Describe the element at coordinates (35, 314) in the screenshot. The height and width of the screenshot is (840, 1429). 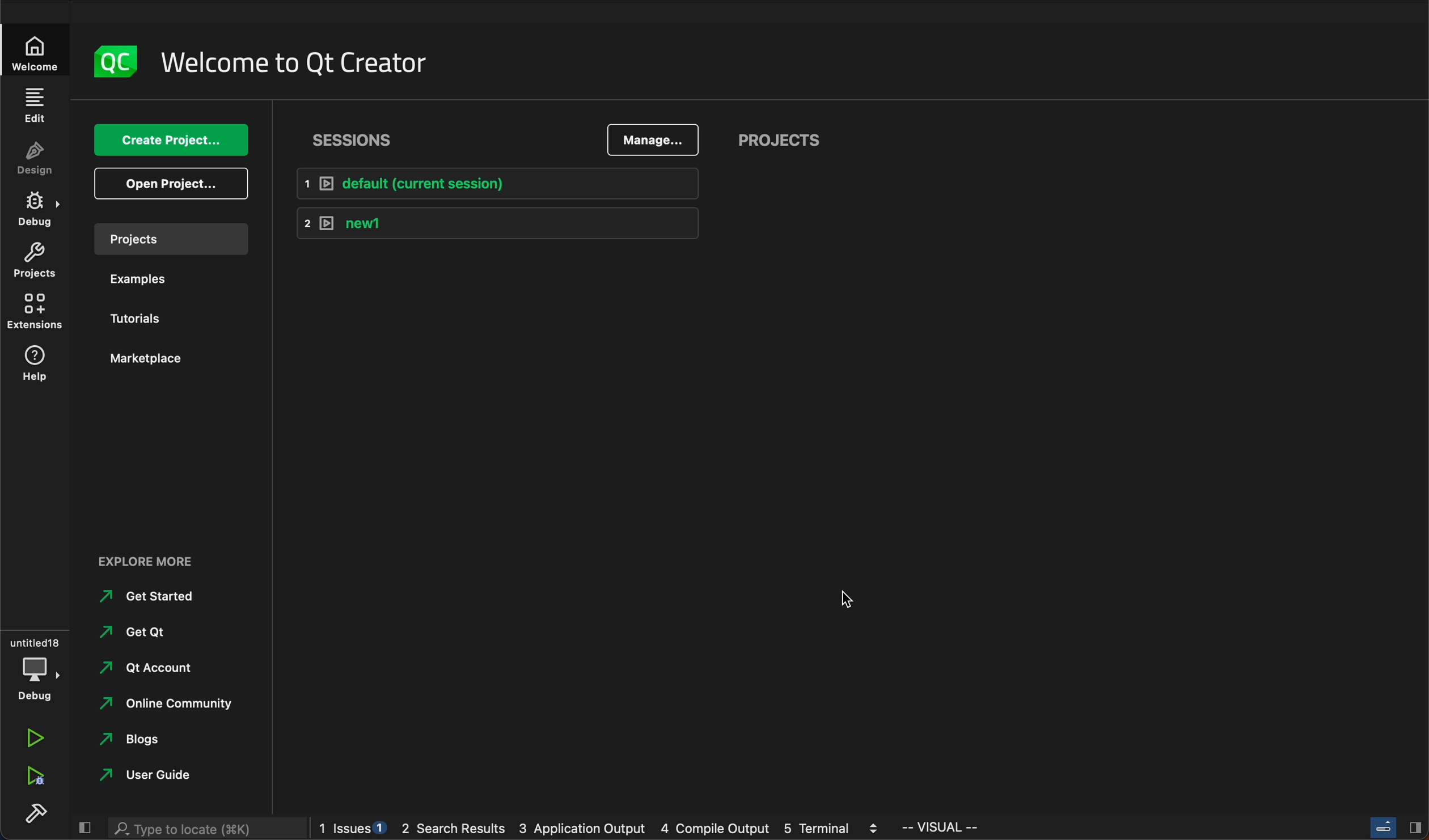
I see `extensions` at that location.